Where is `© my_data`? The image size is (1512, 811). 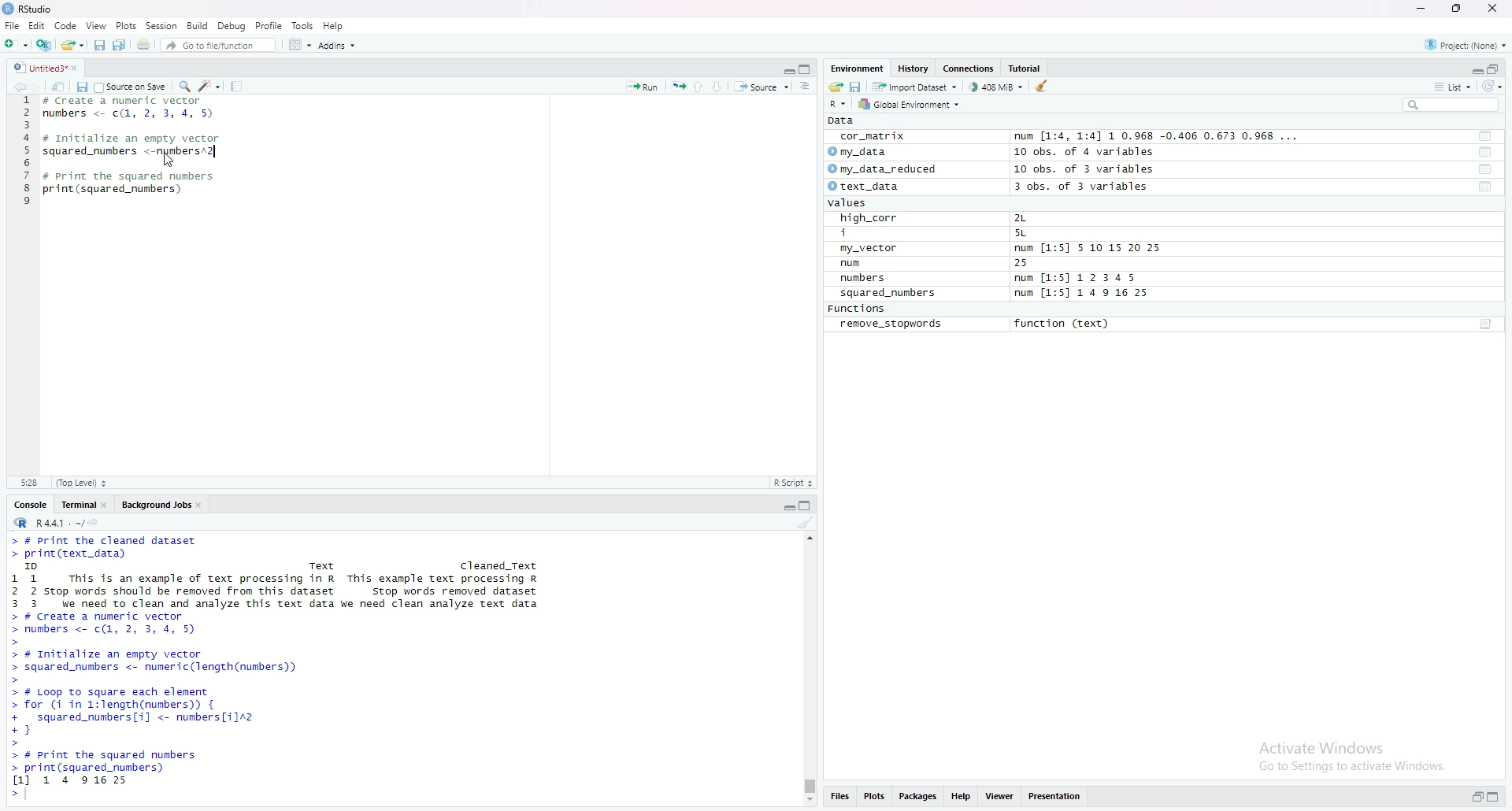 © my_data is located at coordinates (859, 152).